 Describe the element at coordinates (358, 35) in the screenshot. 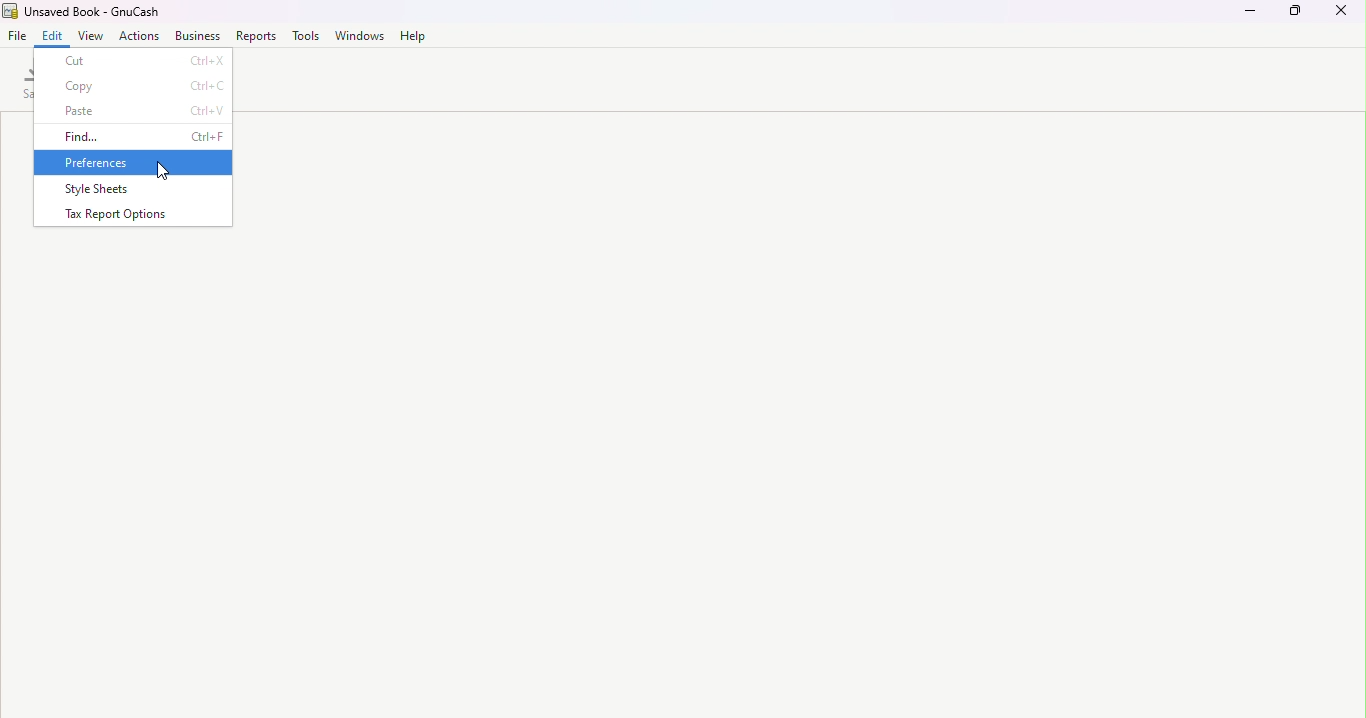

I see `Windows` at that location.